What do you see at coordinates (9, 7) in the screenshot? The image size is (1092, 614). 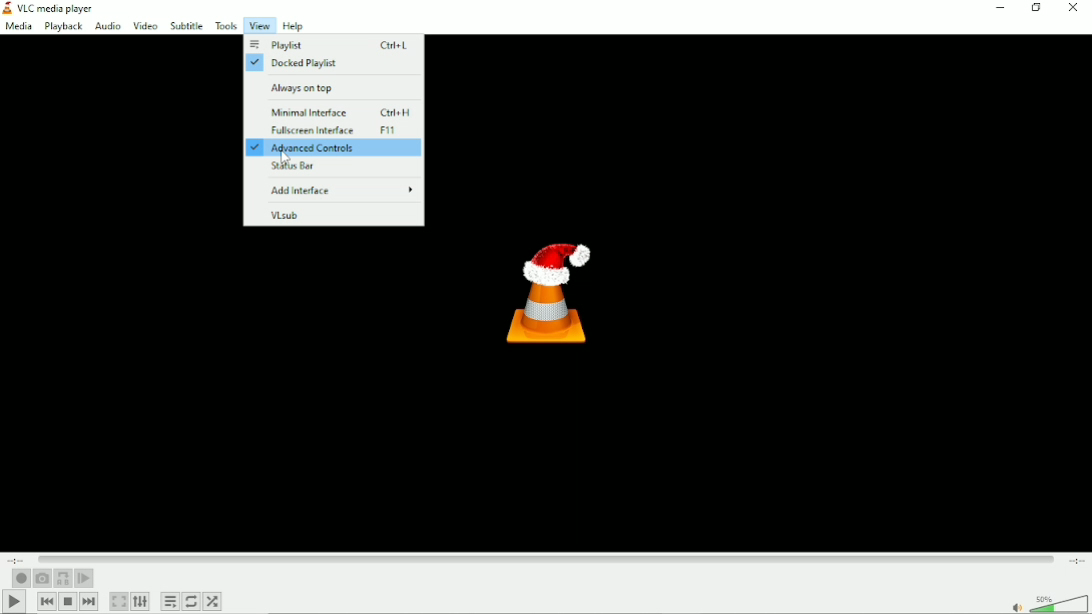 I see `vlc logo` at bounding box center [9, 7].